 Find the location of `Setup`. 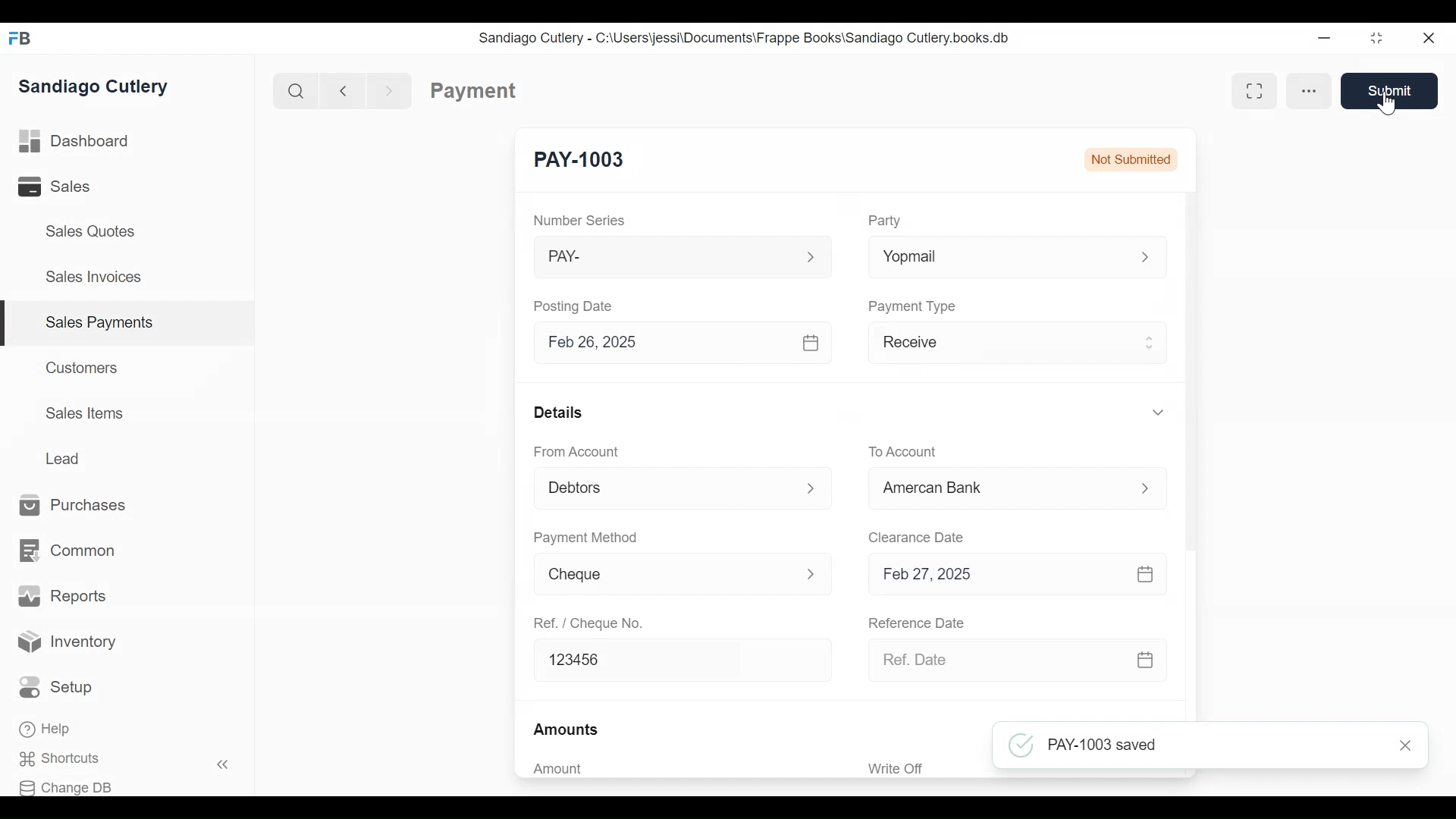

Setup is located at coordinates (60, 688).